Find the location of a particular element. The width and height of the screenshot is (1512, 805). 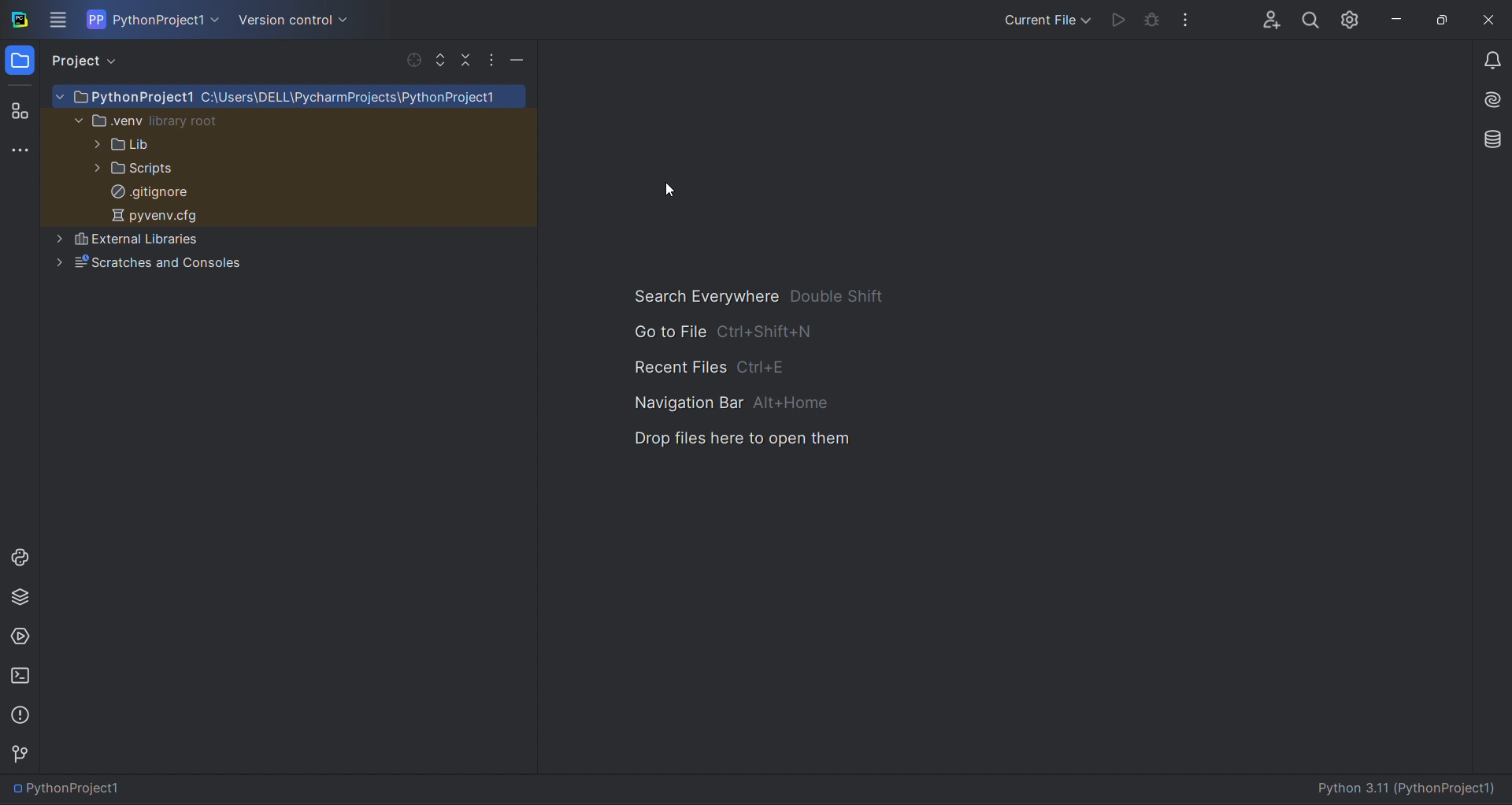

debug/run options is located at coordinates (1049, 18).